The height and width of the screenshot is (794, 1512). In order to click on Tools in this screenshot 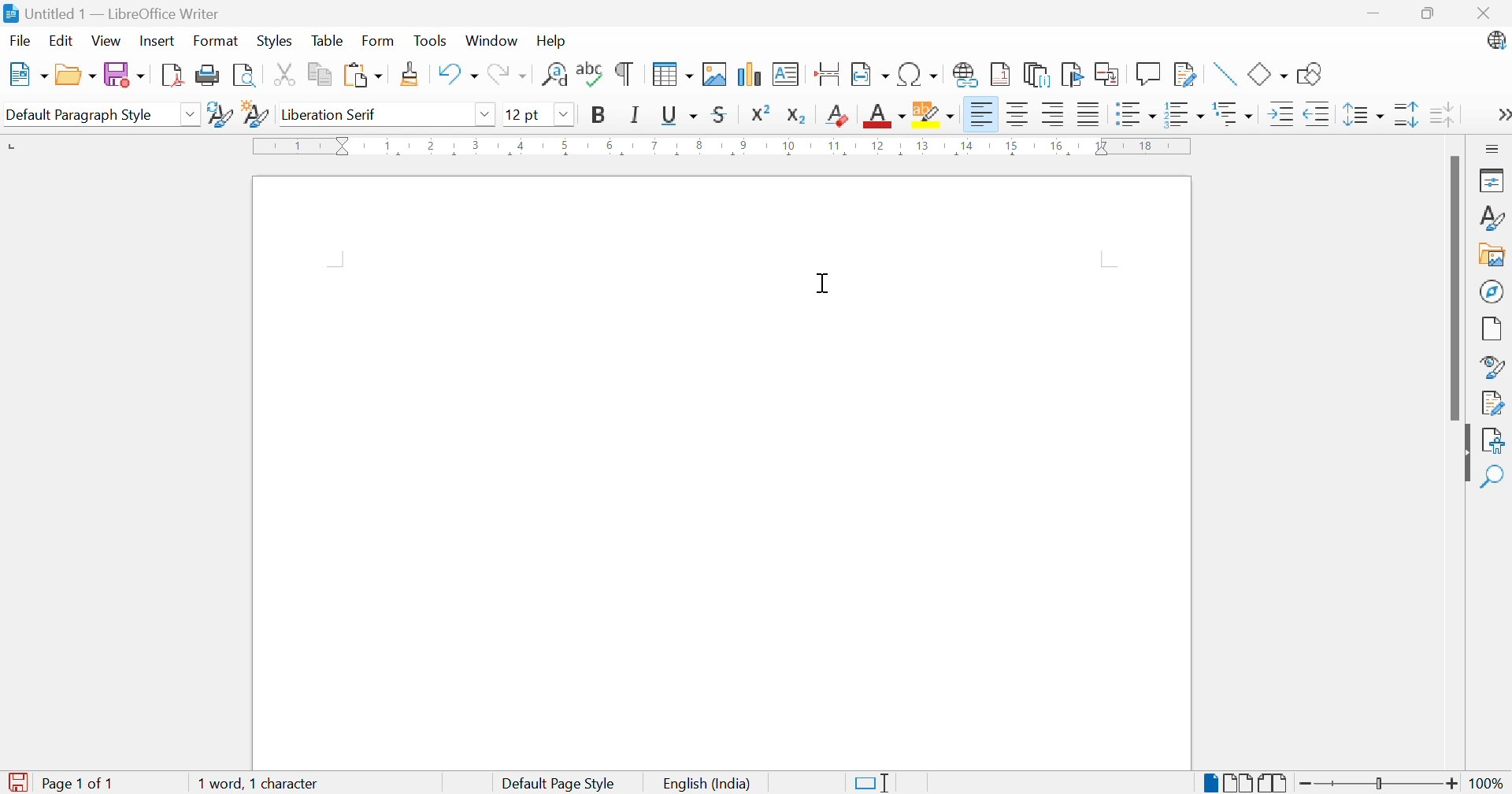, I will do `click(431, 39)`.